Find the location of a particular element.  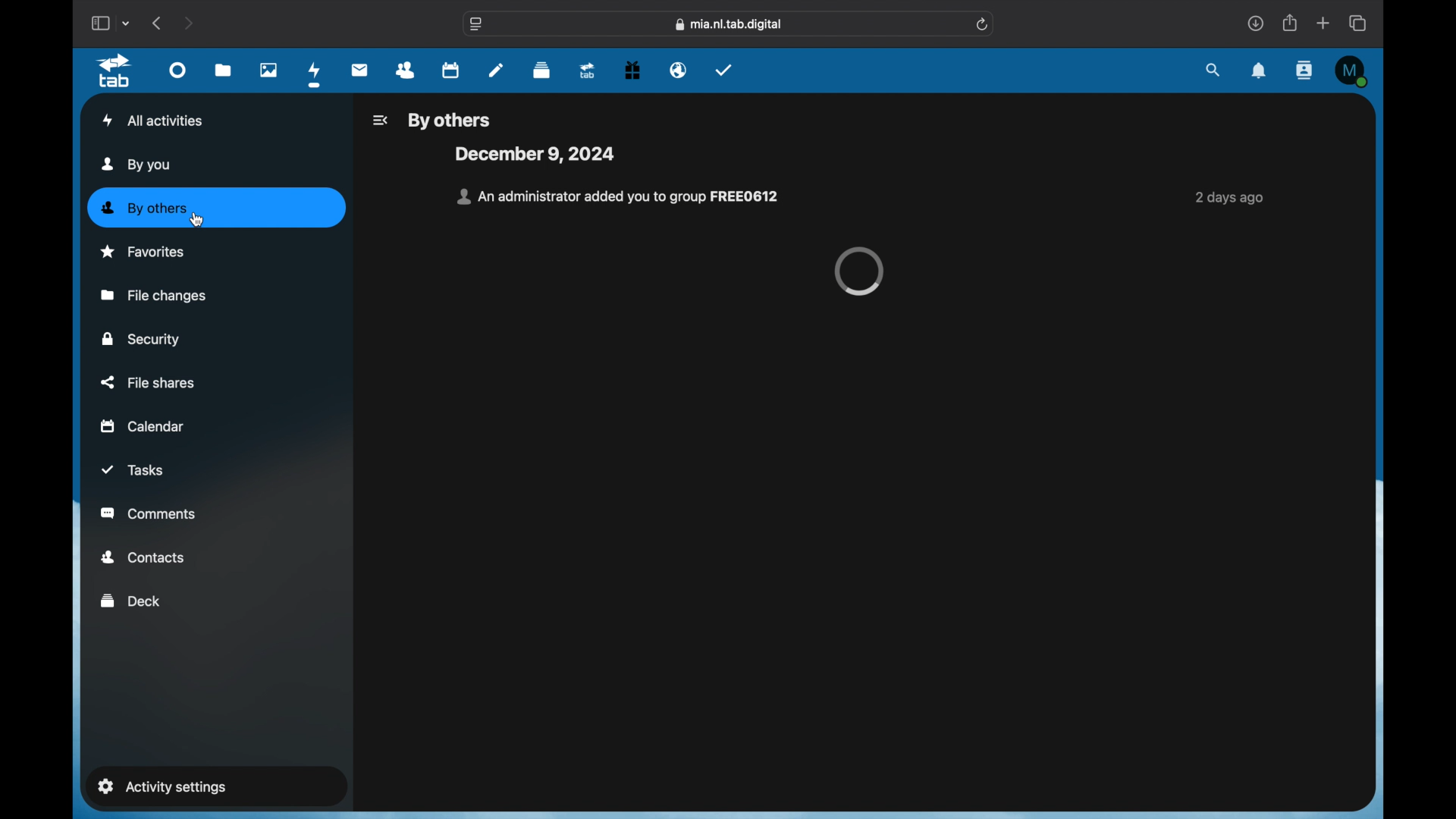

web address is located at coordinates (728, 24).